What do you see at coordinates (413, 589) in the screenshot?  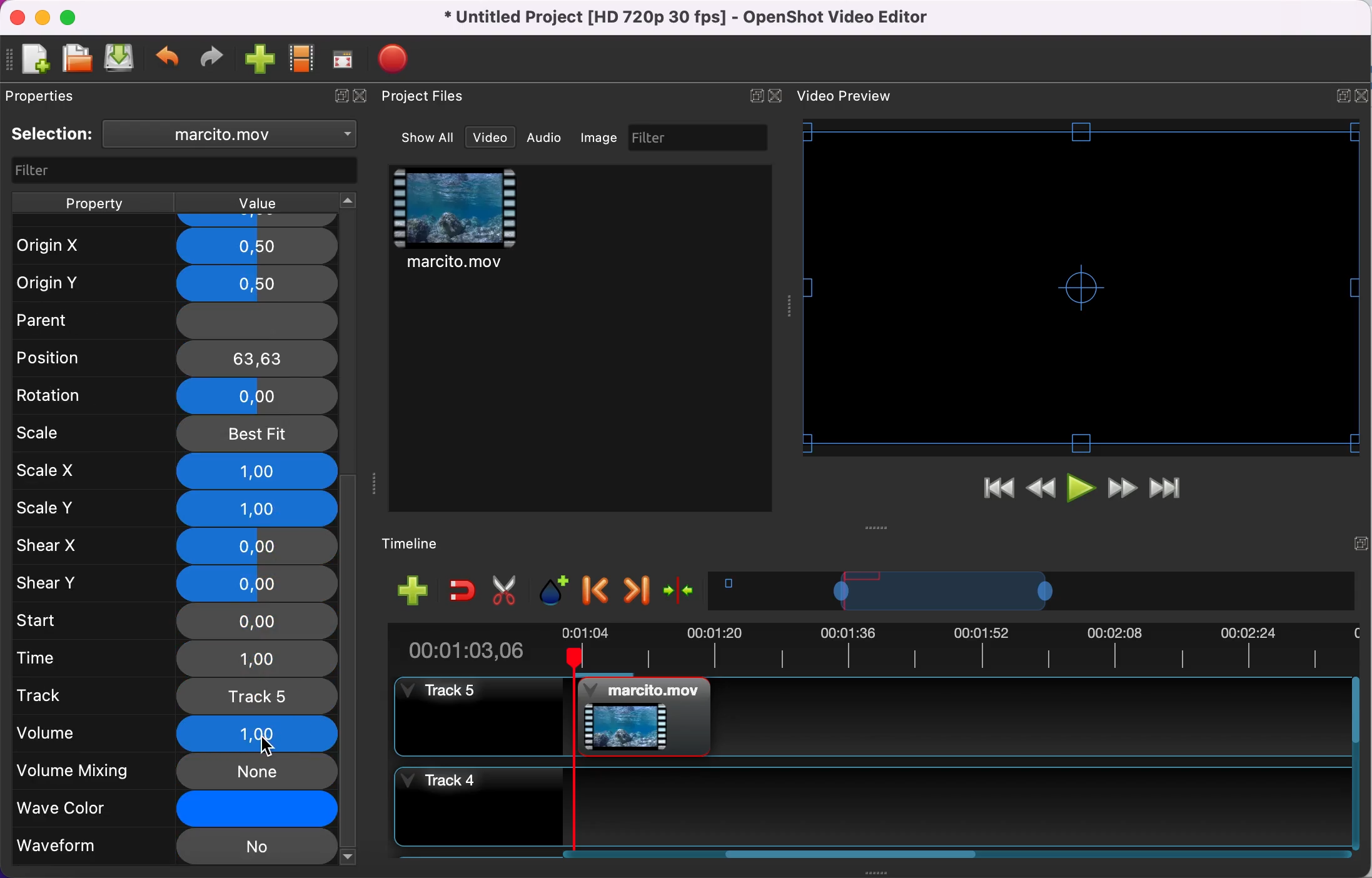 I see `add track` at bounding box center [413, 589].